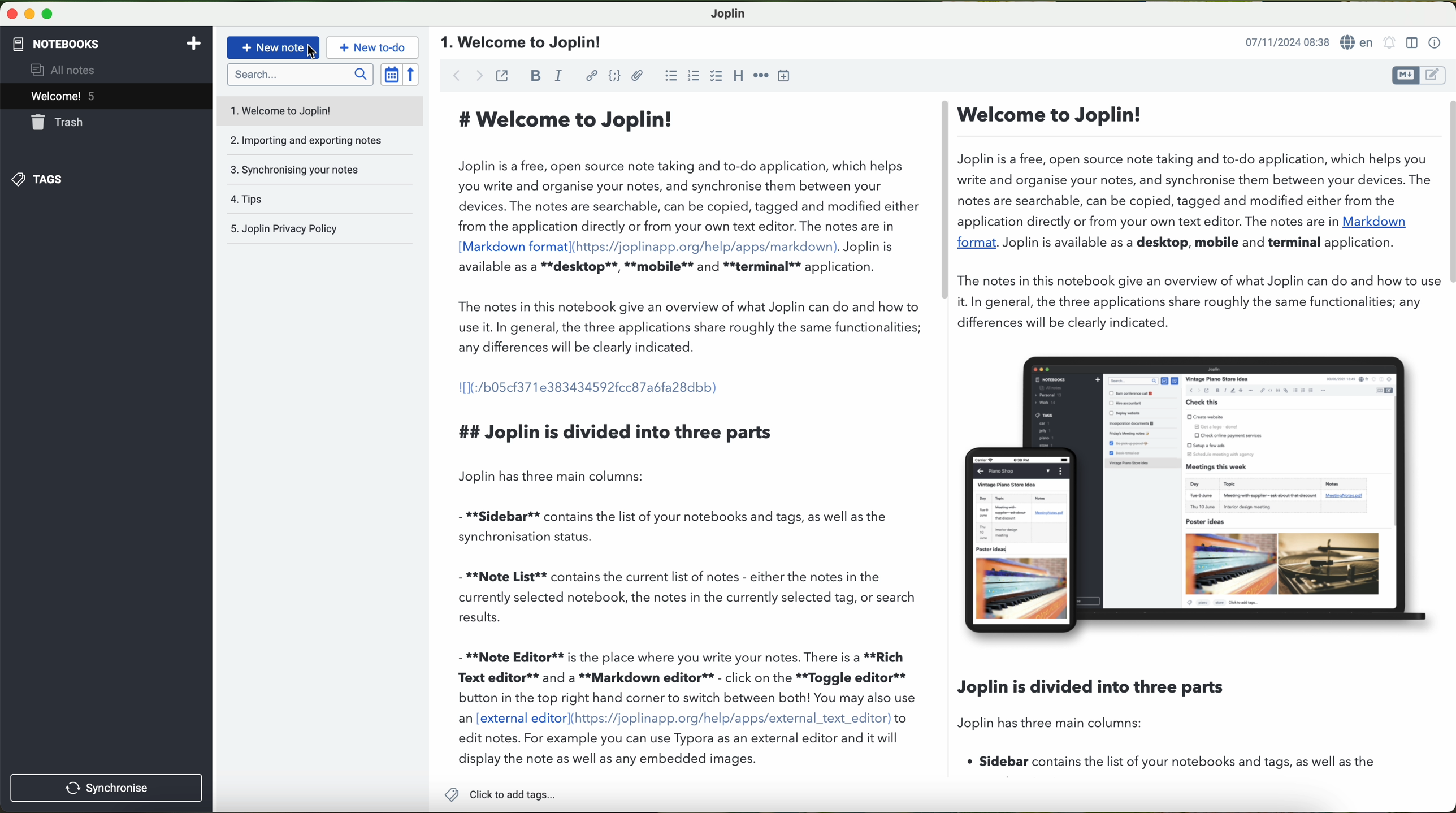 Image resolution: width=1456 pixels, height=813 pixels. Describe the element at coordinates (761, 76) in the screenshot. I see `horizontal rule` at that location.